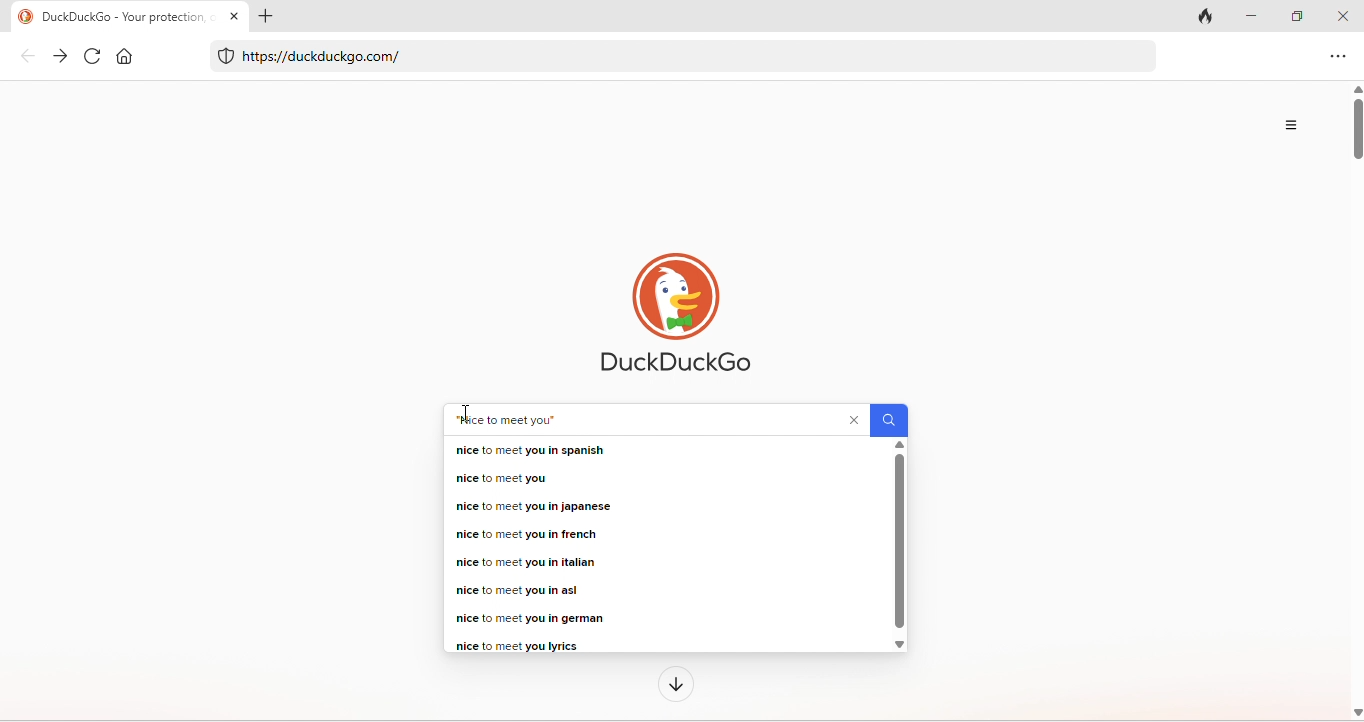  What do you see at coordinates (323, 56) in the screenshot?
I see `@ https://duckduckgo.com/` at bounding box center [323, 56].